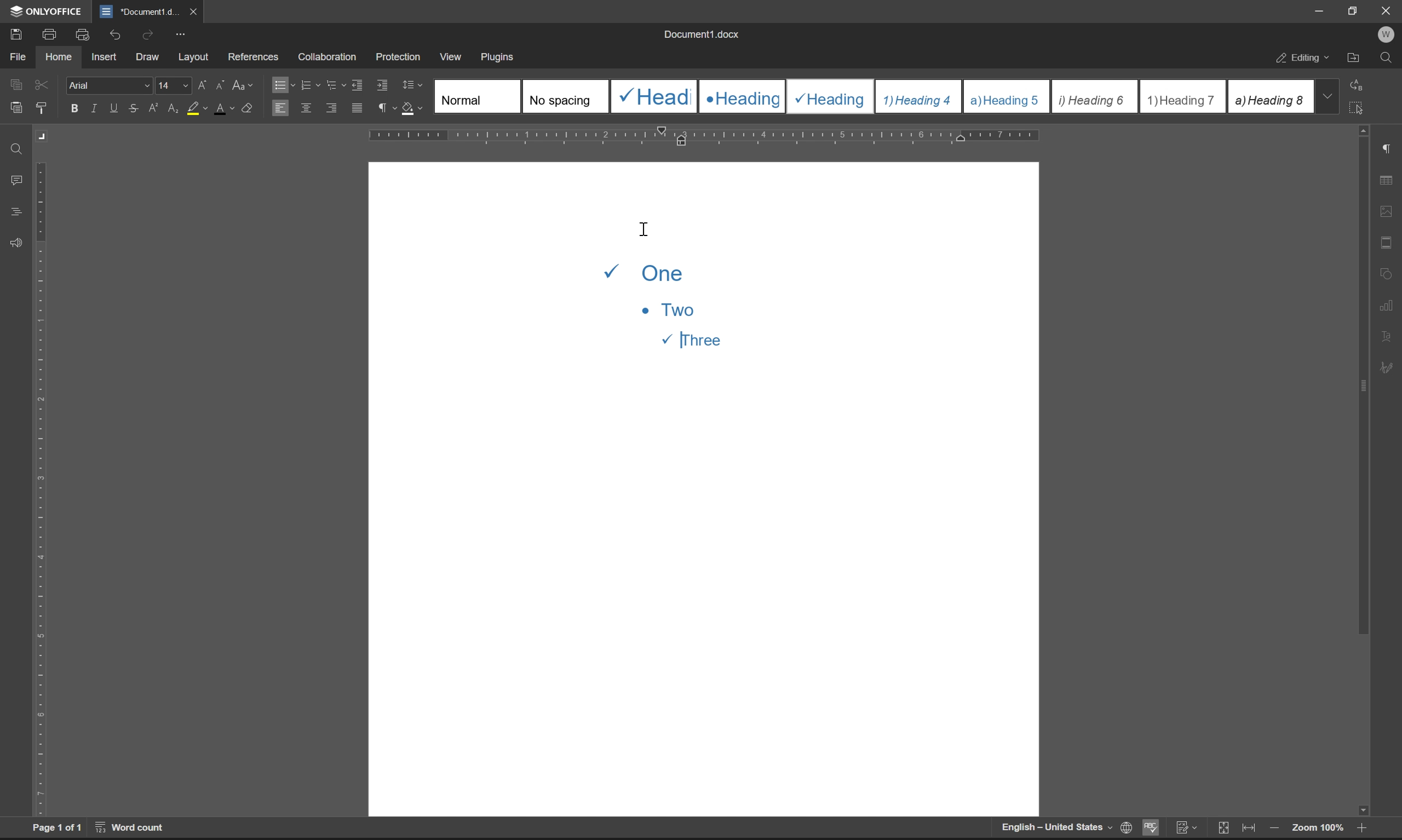 Image resolution: width=1402 pixels, height=840 pixels. Describe the element at coordinates (280, 107) in the screenshot. I see `align left` at that location.